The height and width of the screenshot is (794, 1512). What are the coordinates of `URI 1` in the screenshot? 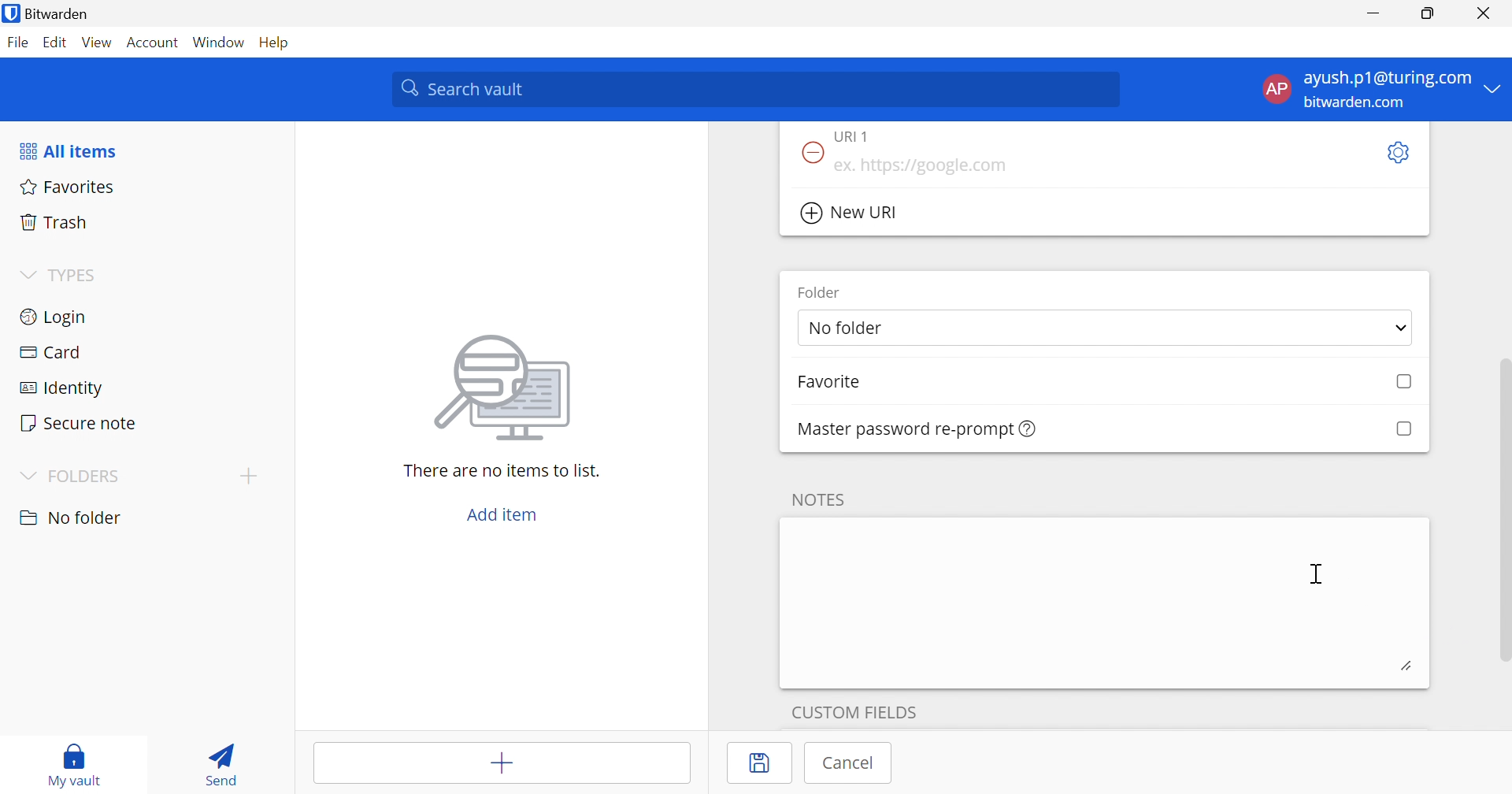 It's located at (862, 135).